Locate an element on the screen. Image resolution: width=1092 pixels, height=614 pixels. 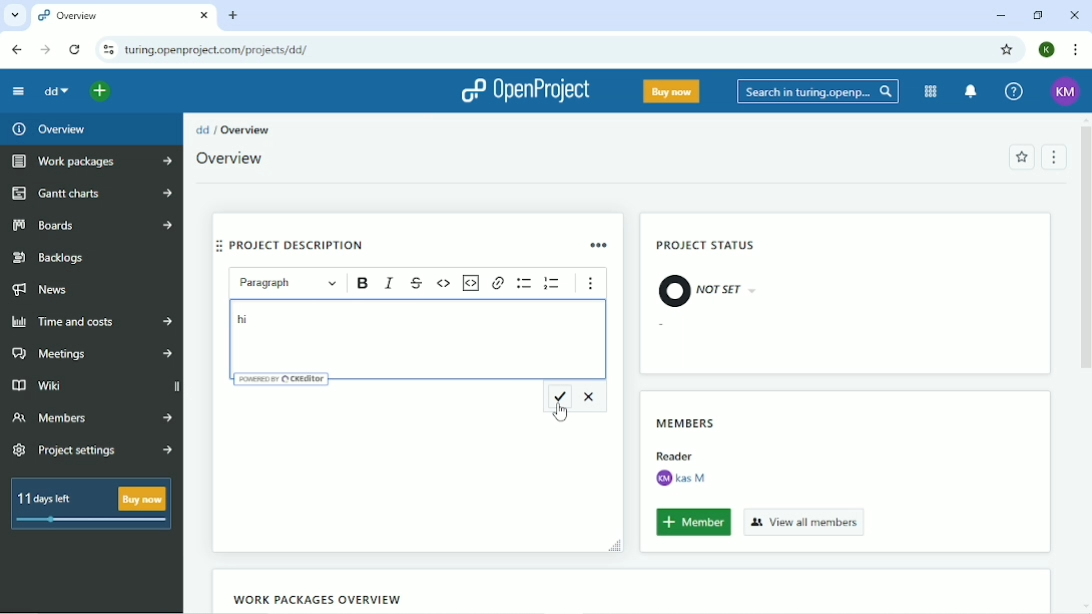
Account is located at coordinates (1066, 91).